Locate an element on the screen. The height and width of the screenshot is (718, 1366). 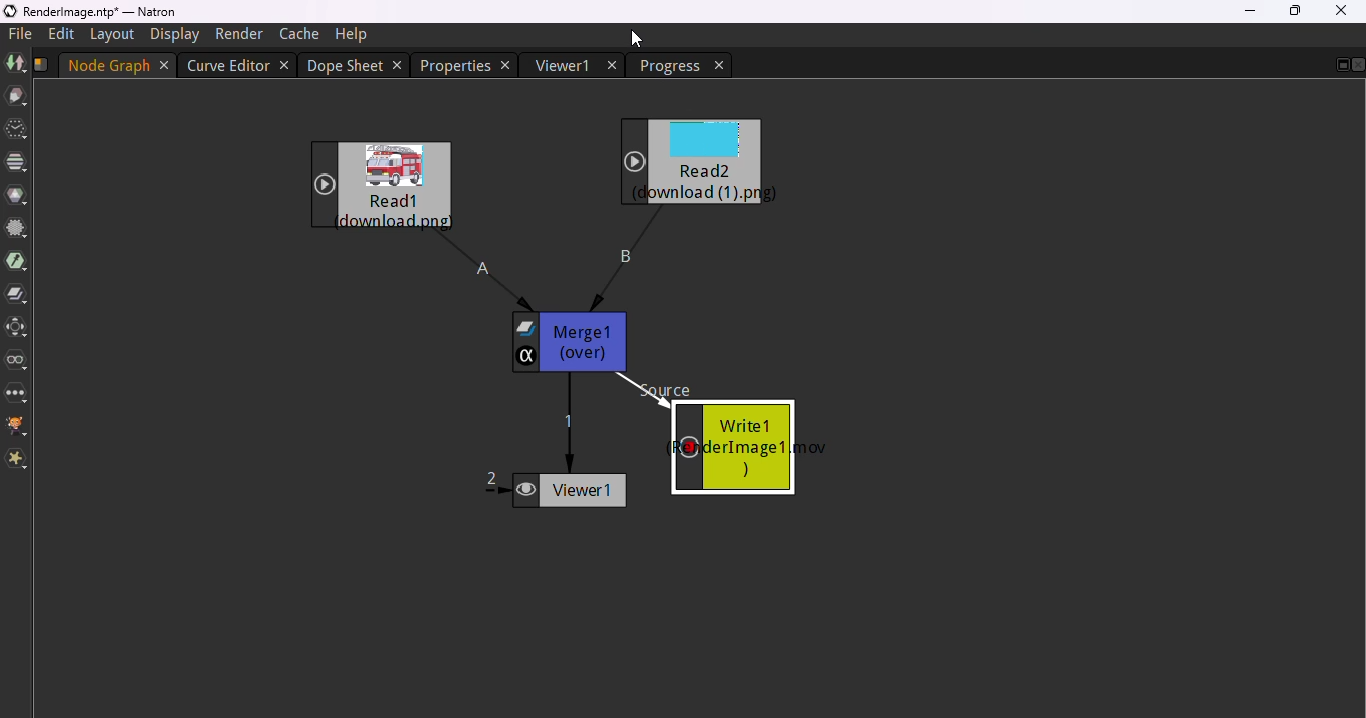
image is located at coordinates (13, 62).